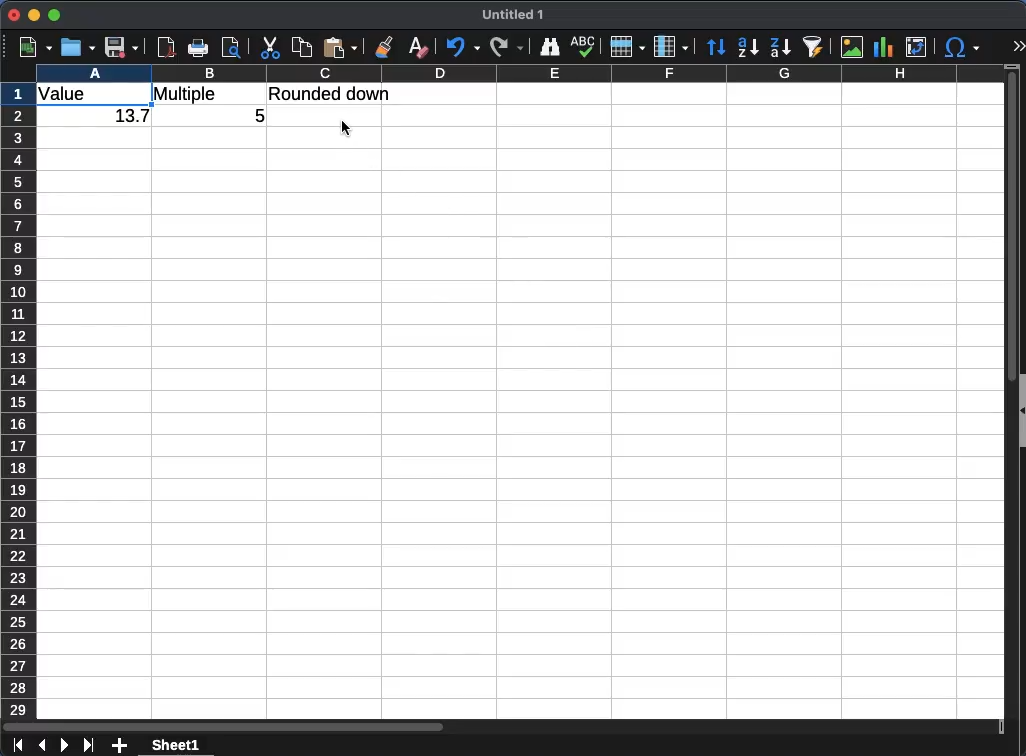  Describe the element at coordinates (514, 16) in the screenshot. I see `Untitled 1` at that location.